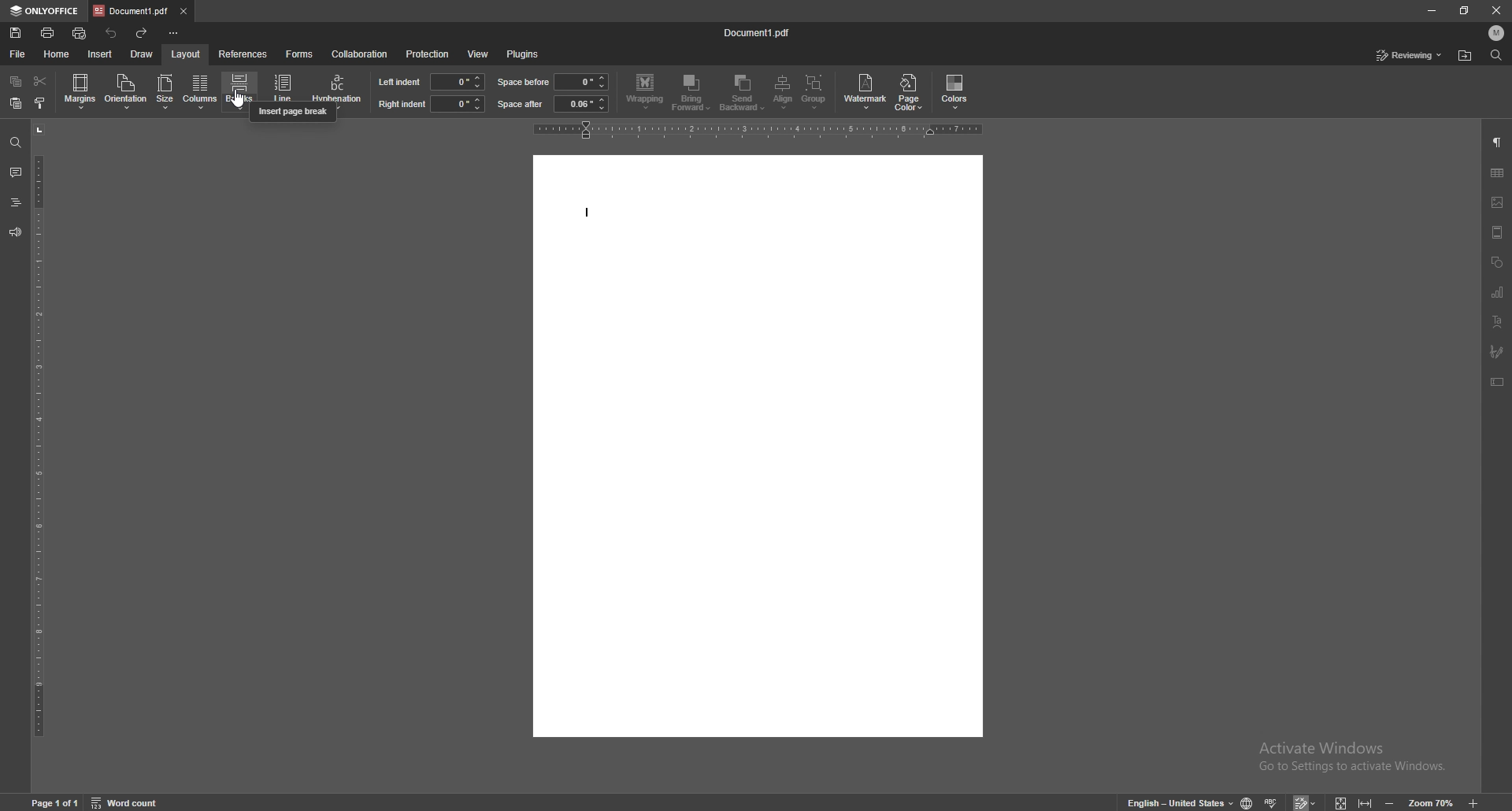  Describe the element at coordinates (173, 32) in the screenshot. I see `customize toolbar` at that location.